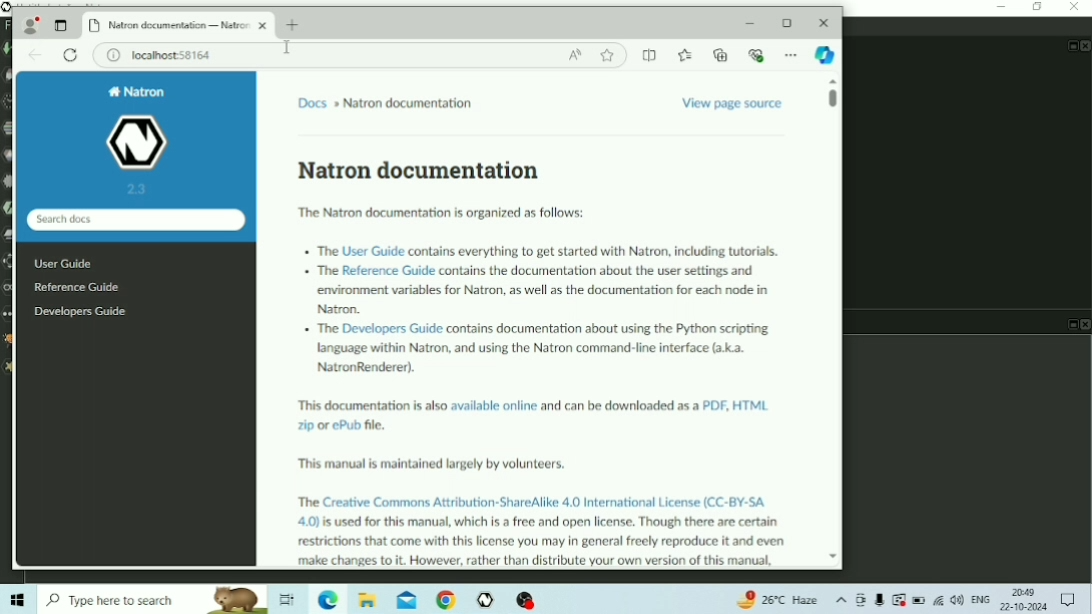 Image resolution: width=1092 pixels, height=614 pixels. What do you see at coordinates (824, 55) in the screenshot?
I see `Browser` at bounding box center [824, 55].